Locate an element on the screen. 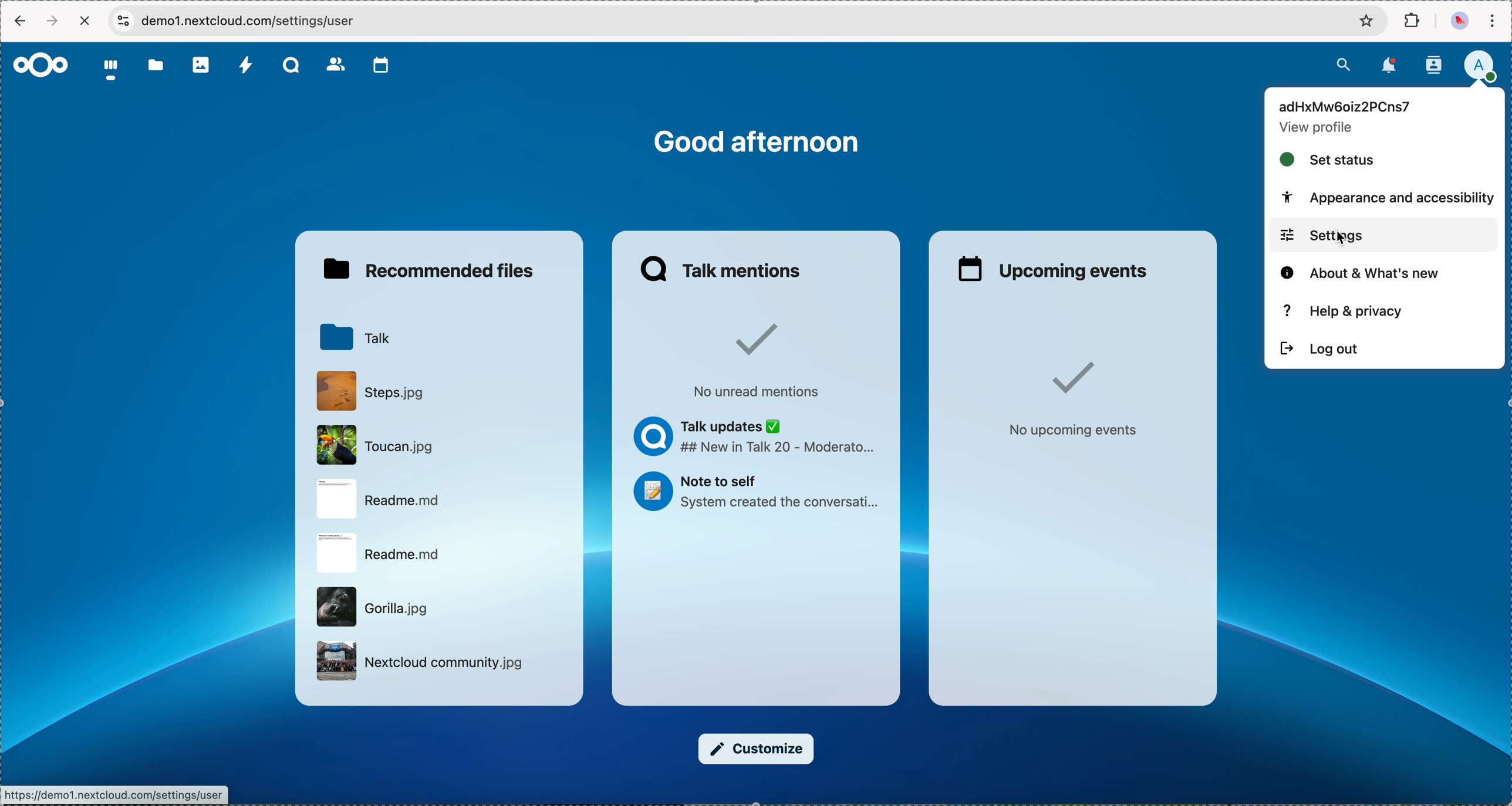  Note to self is located at coordinates (757, 494).